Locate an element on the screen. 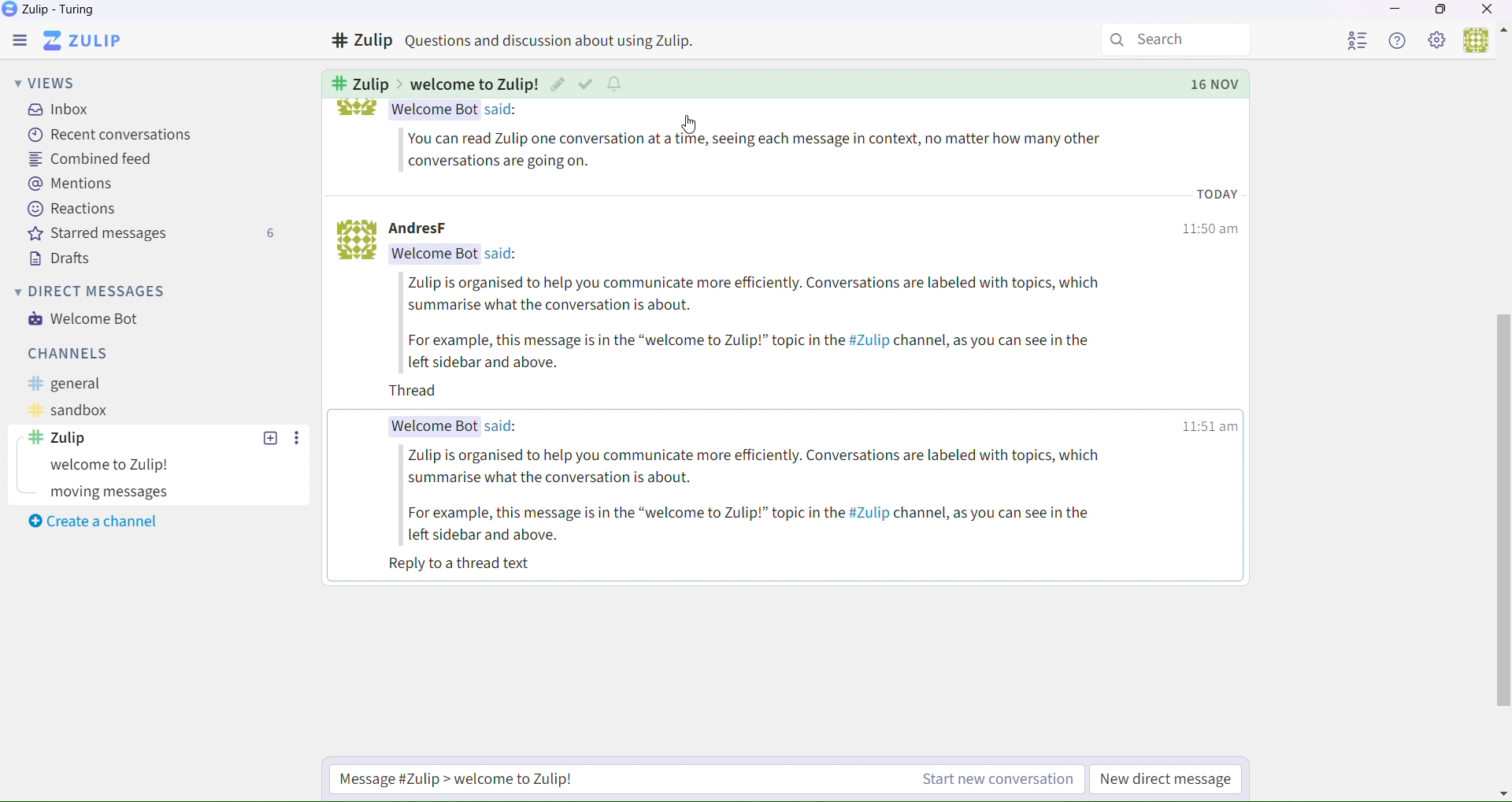 This screenshot has width=1512, height=802. Starred messages is located at coordinates (152, 236).